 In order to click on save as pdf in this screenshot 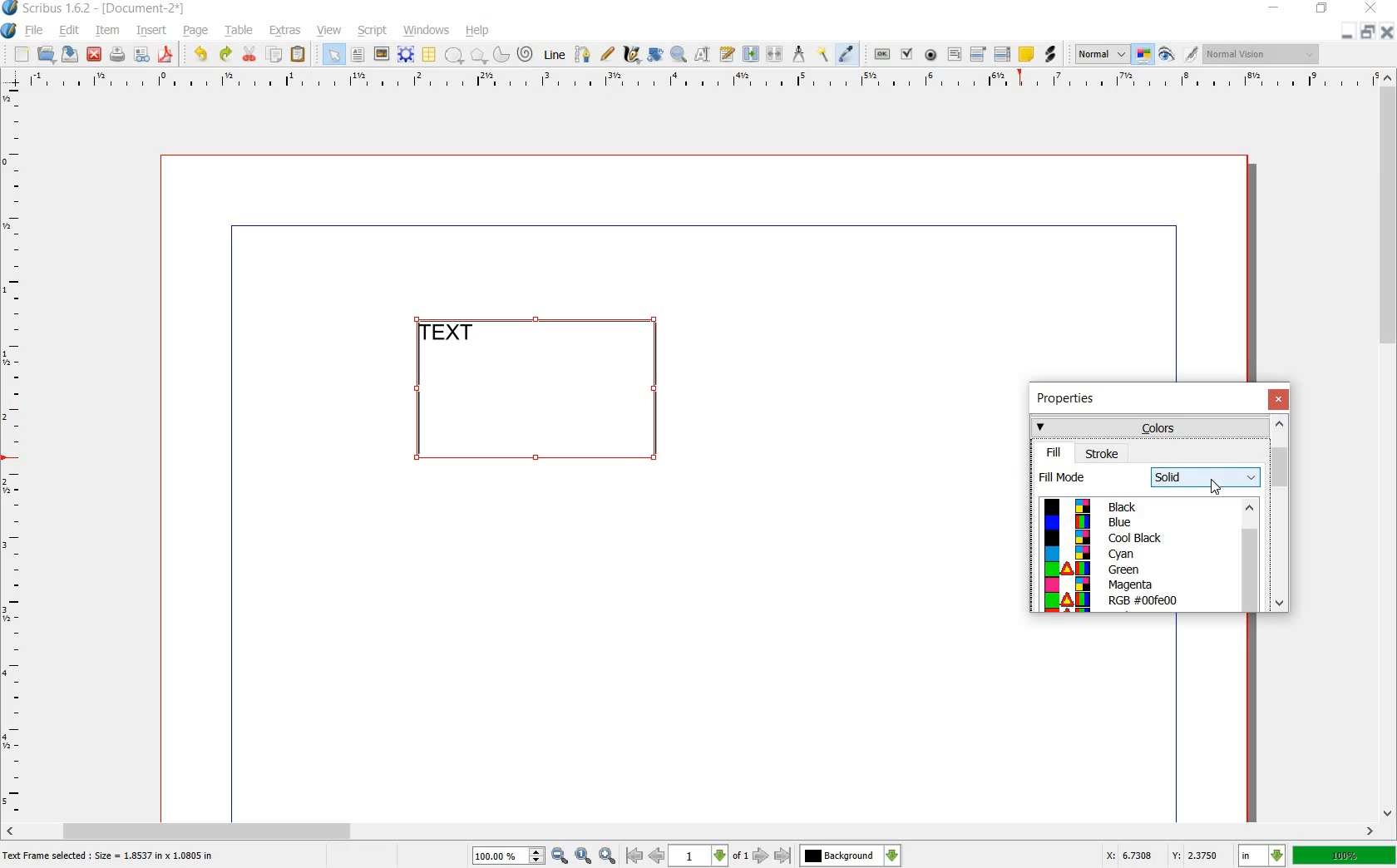, I will do `click(165, 55)`.